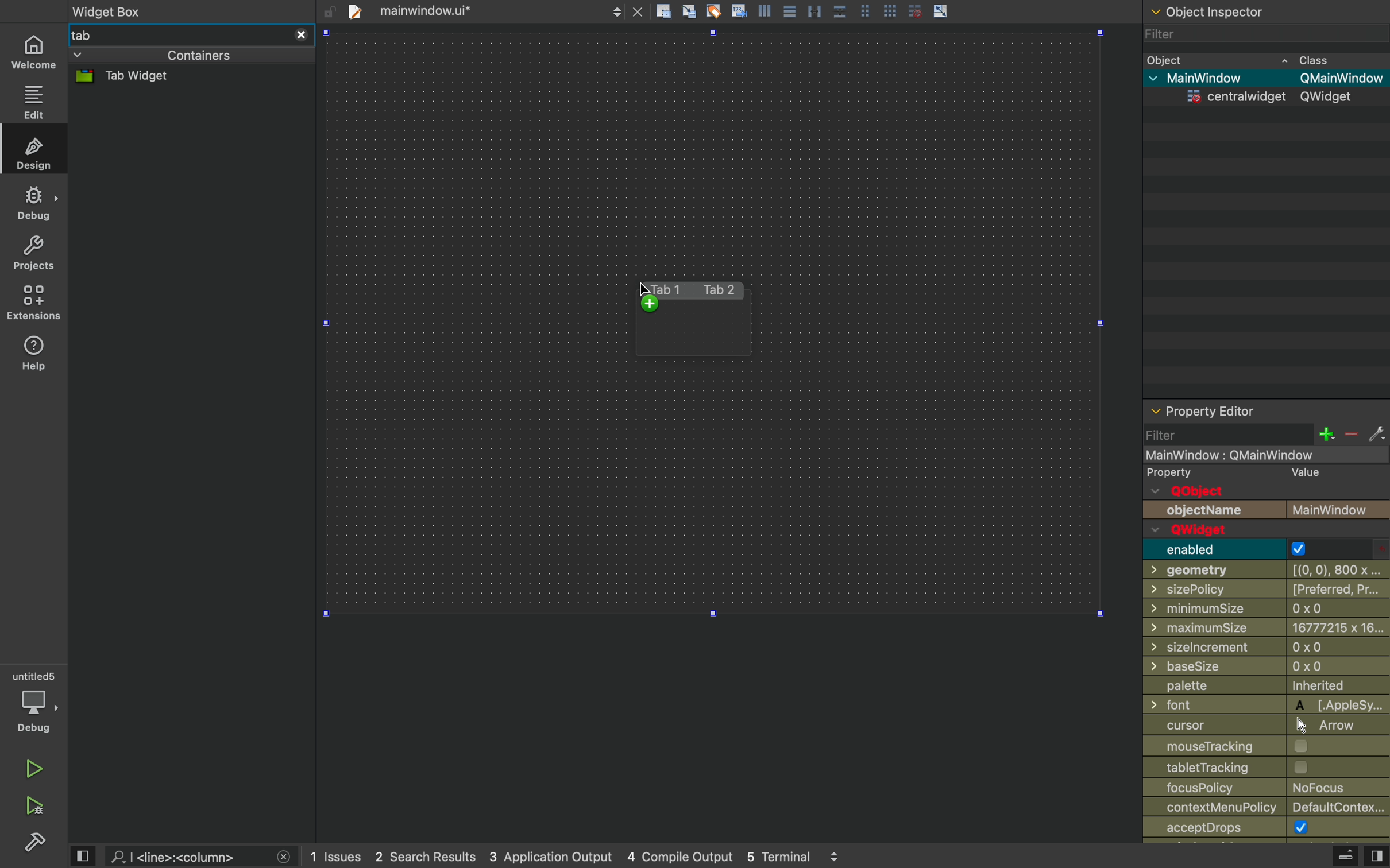  What do you see at coordinates (34, 845) in the screenshot?
I see `build` at bounding box center [34, 845].